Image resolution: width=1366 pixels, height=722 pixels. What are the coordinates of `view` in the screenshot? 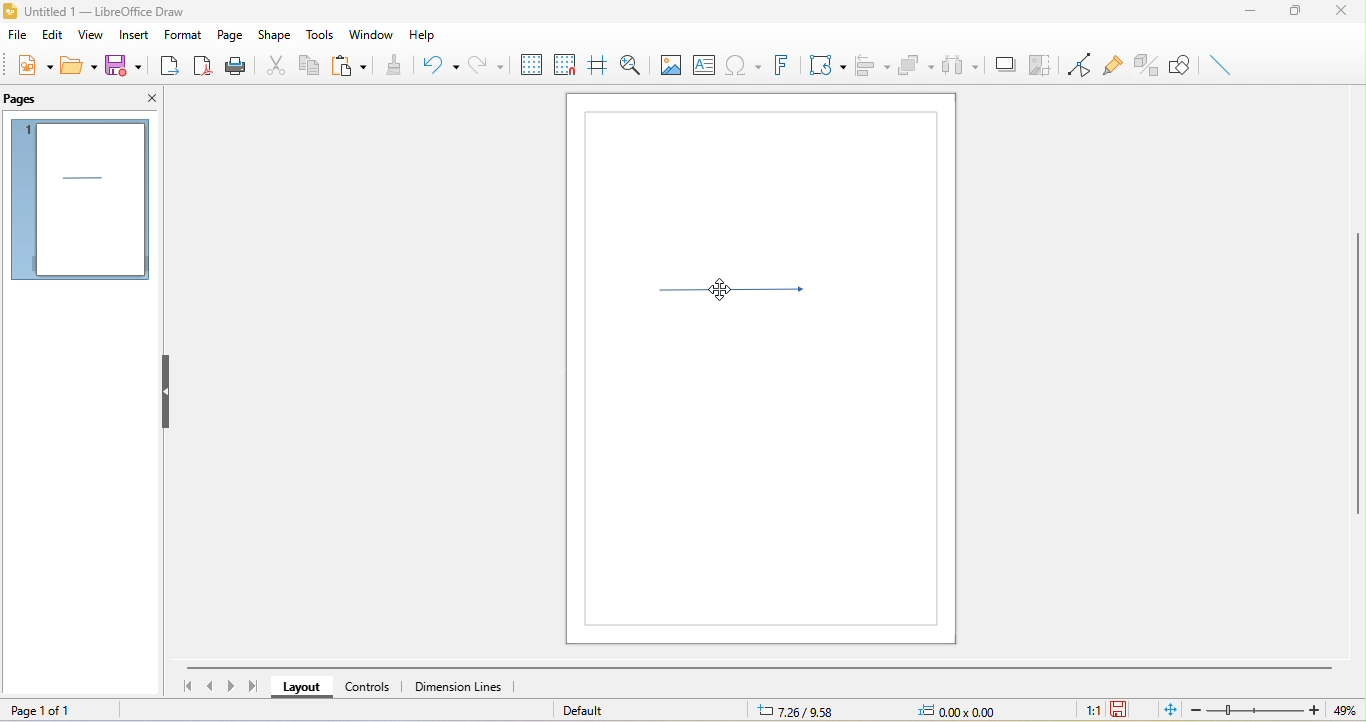 It's located at (88, 36).